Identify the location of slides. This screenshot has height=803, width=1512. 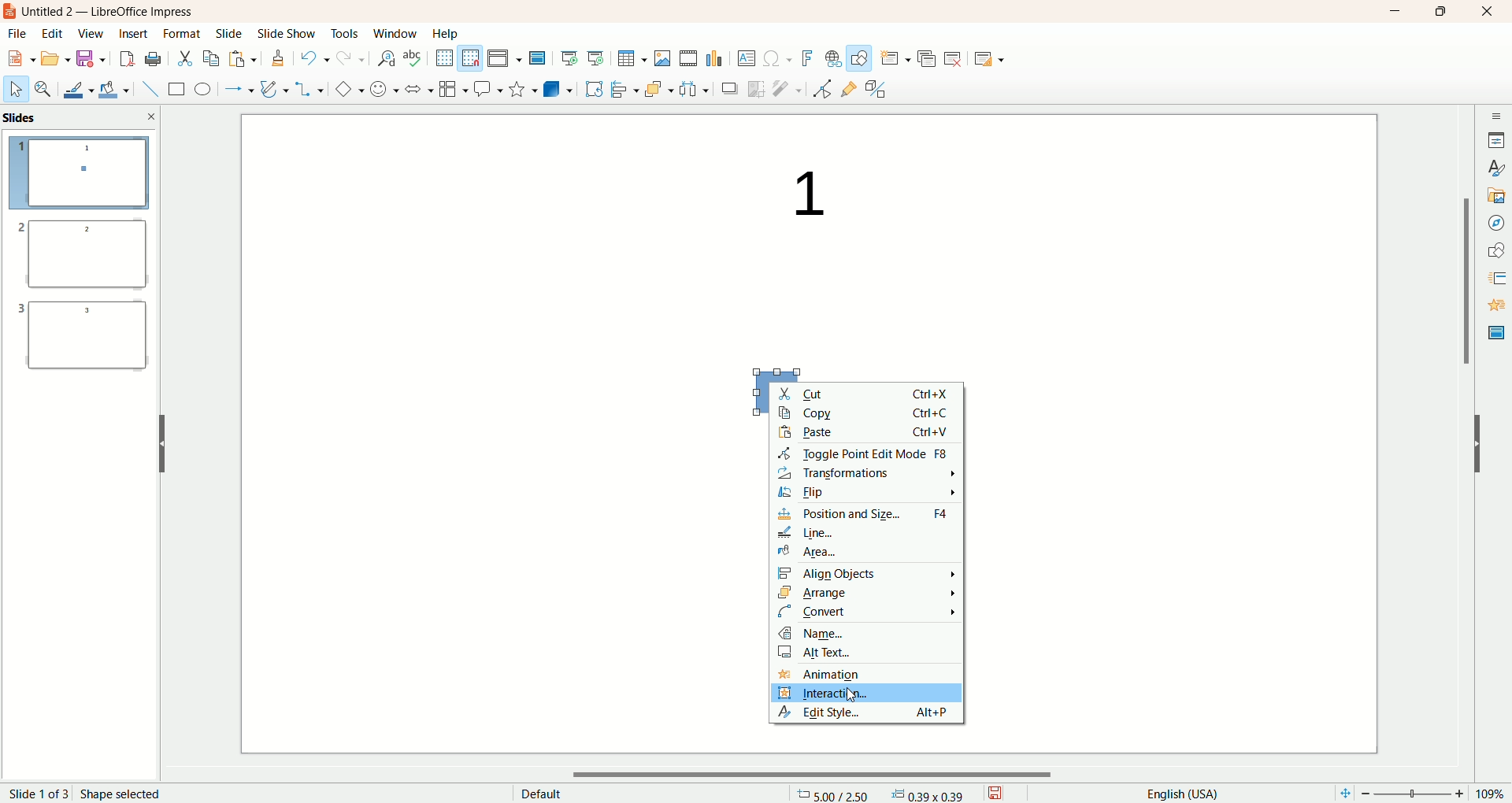
(24, 118).